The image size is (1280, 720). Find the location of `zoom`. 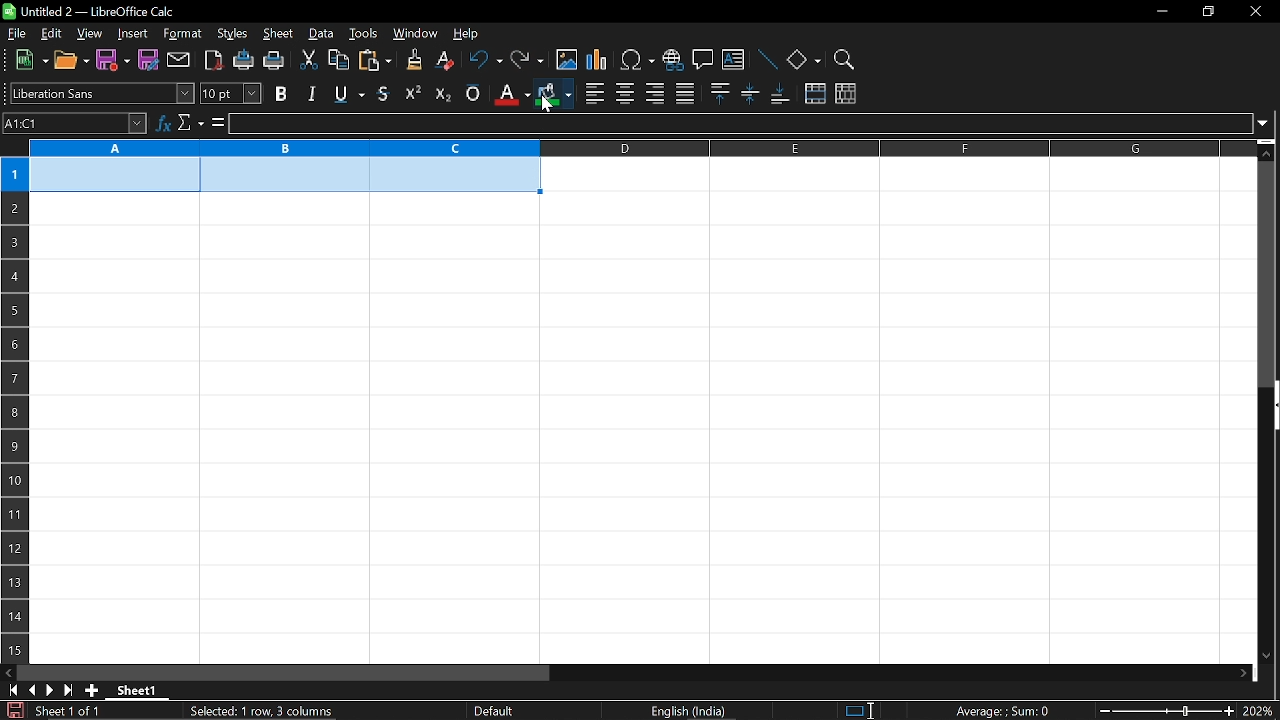

zoom is located at coordinates (845, 57).